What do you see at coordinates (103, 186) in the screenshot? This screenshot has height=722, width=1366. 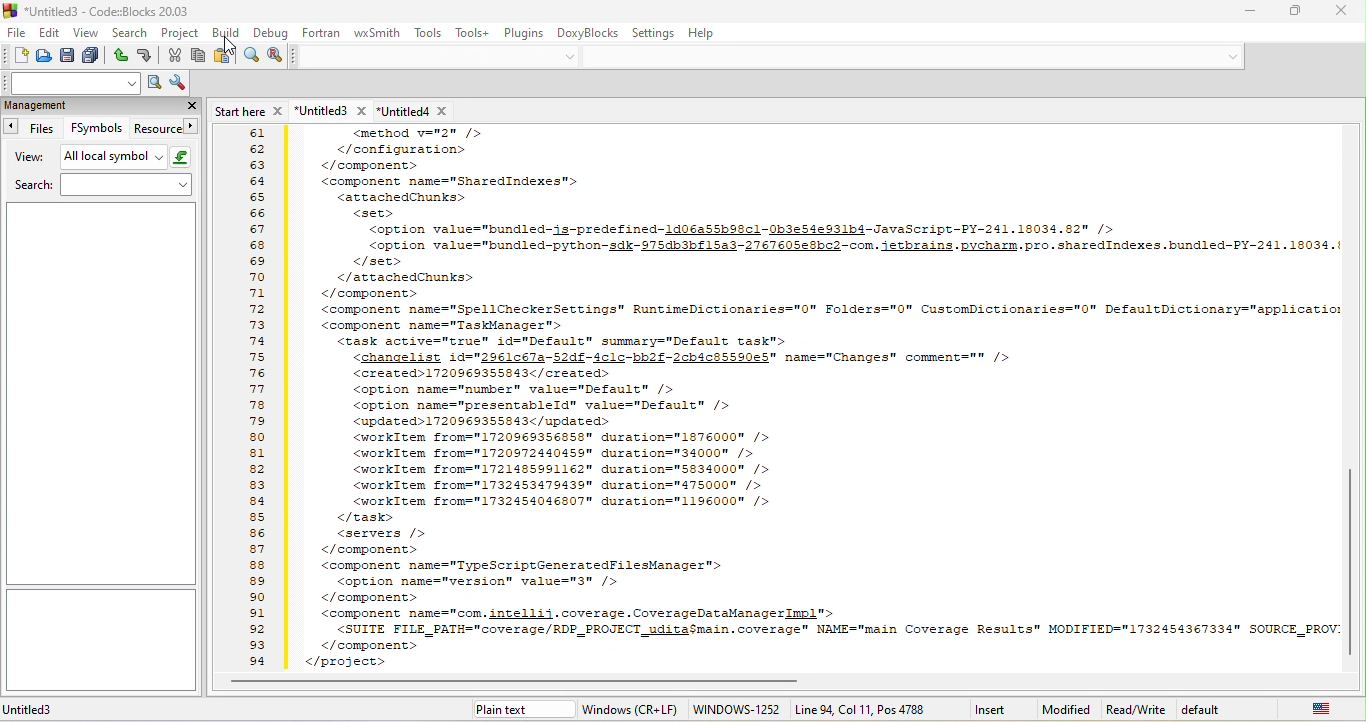 I see `search` at bounding box center [103, 186].